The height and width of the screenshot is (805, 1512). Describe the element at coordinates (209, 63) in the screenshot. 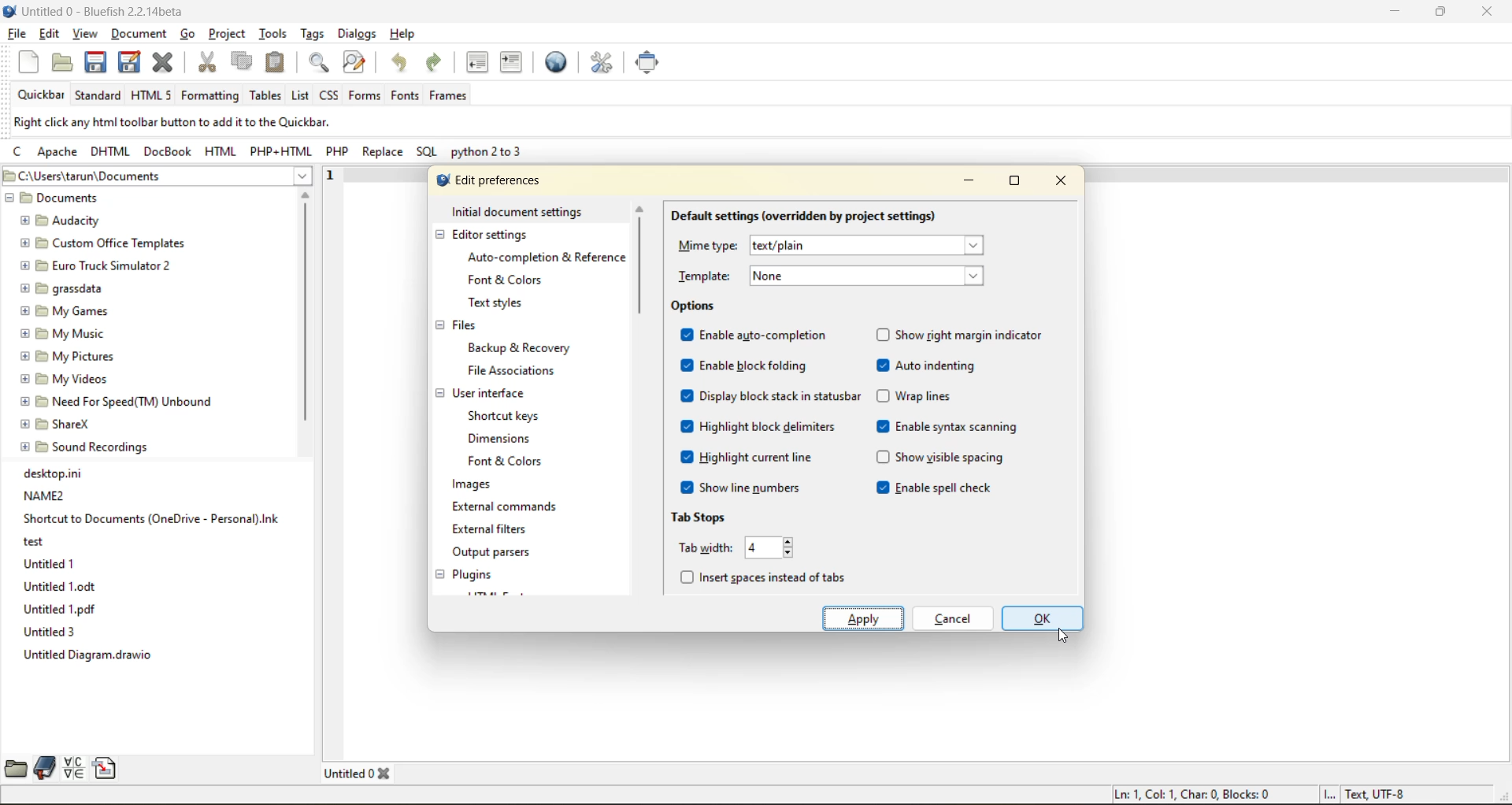

I see `cut` at that location.